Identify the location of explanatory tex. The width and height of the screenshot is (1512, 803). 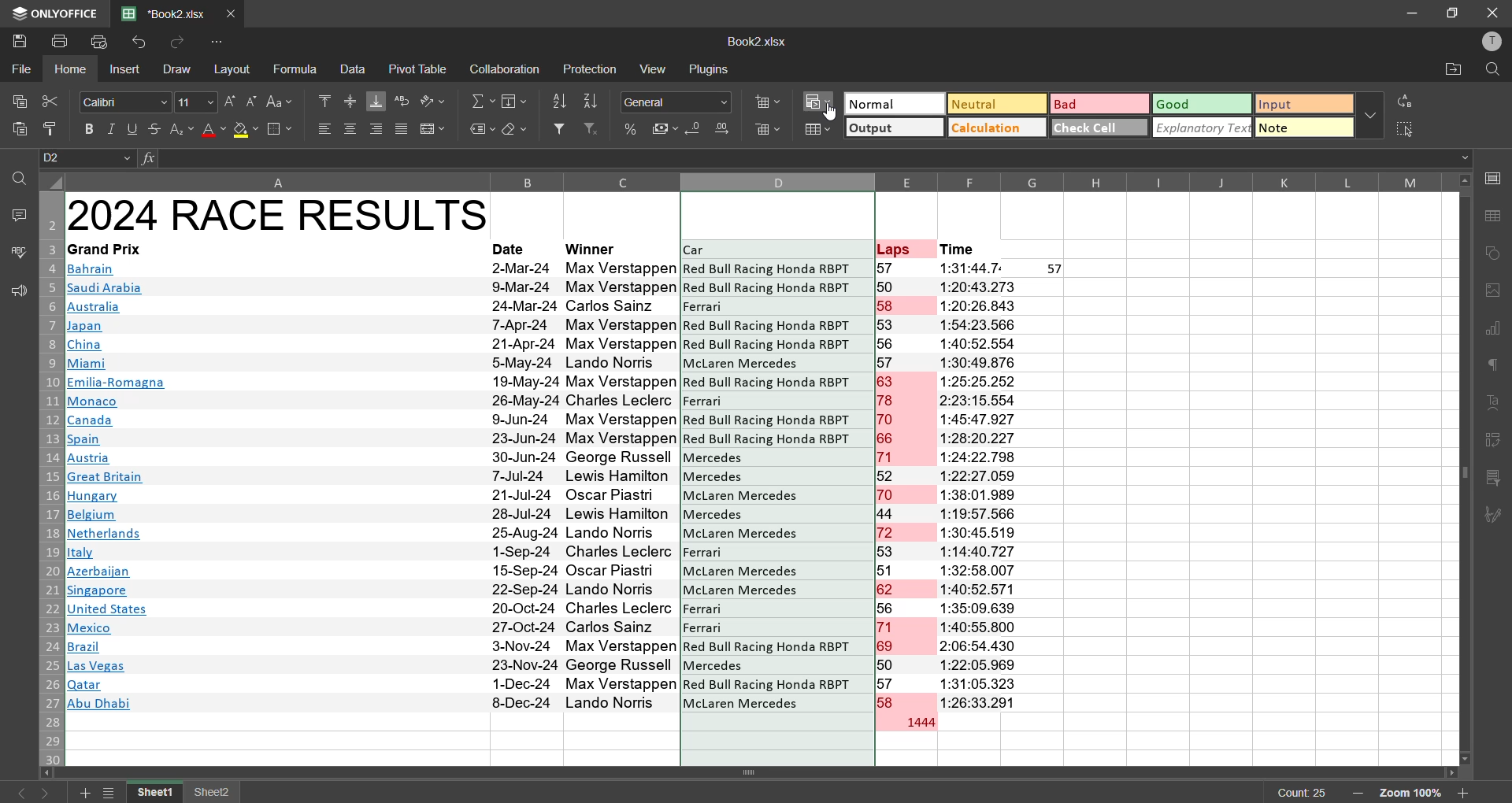
(1203, 128).